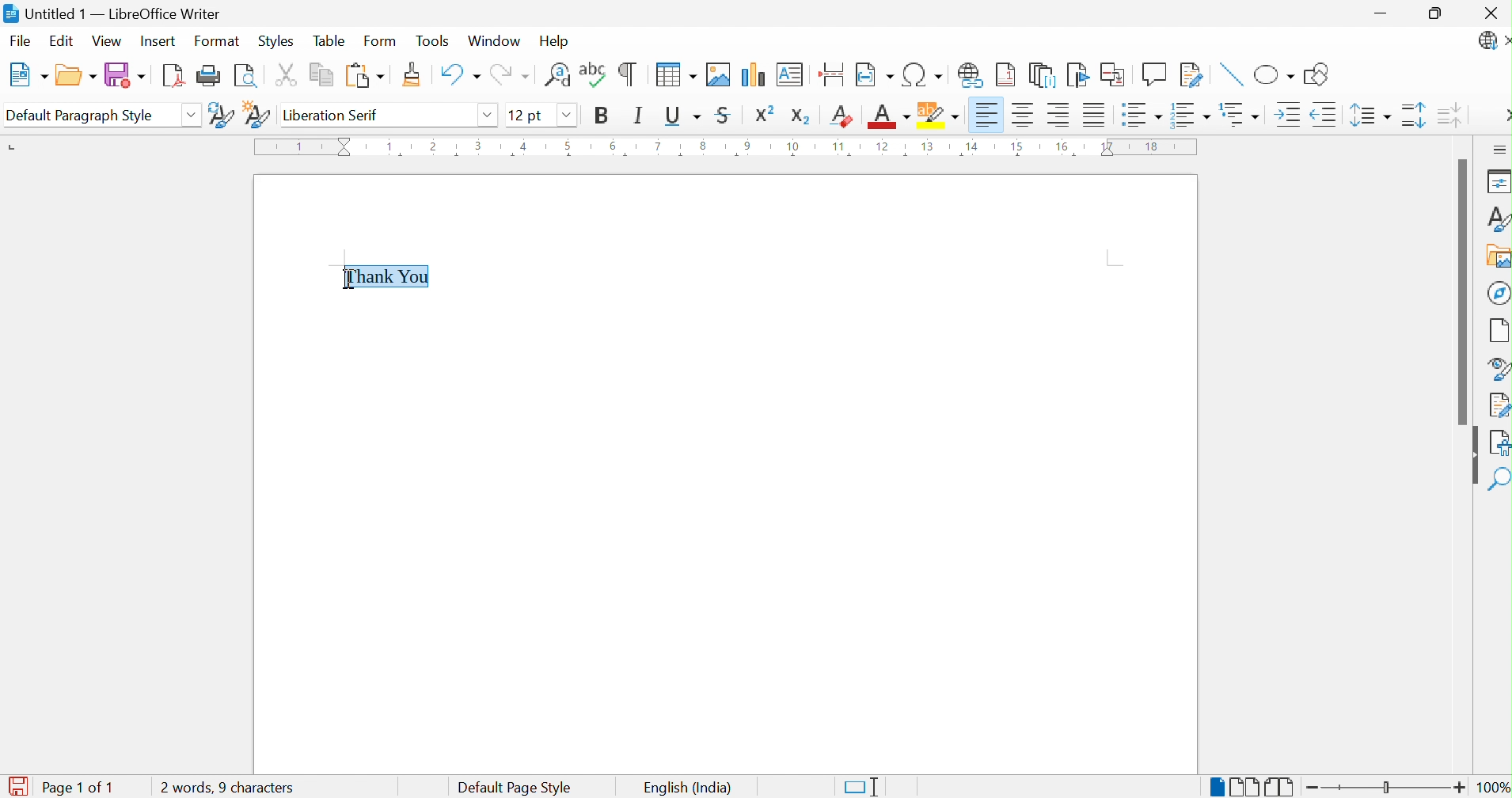 The width and height of the screenshot is (1512, 798). What do you see at coordinates (1386, 788) in the screenshot?
I see `Slider` at bounding box center [1386, 788].